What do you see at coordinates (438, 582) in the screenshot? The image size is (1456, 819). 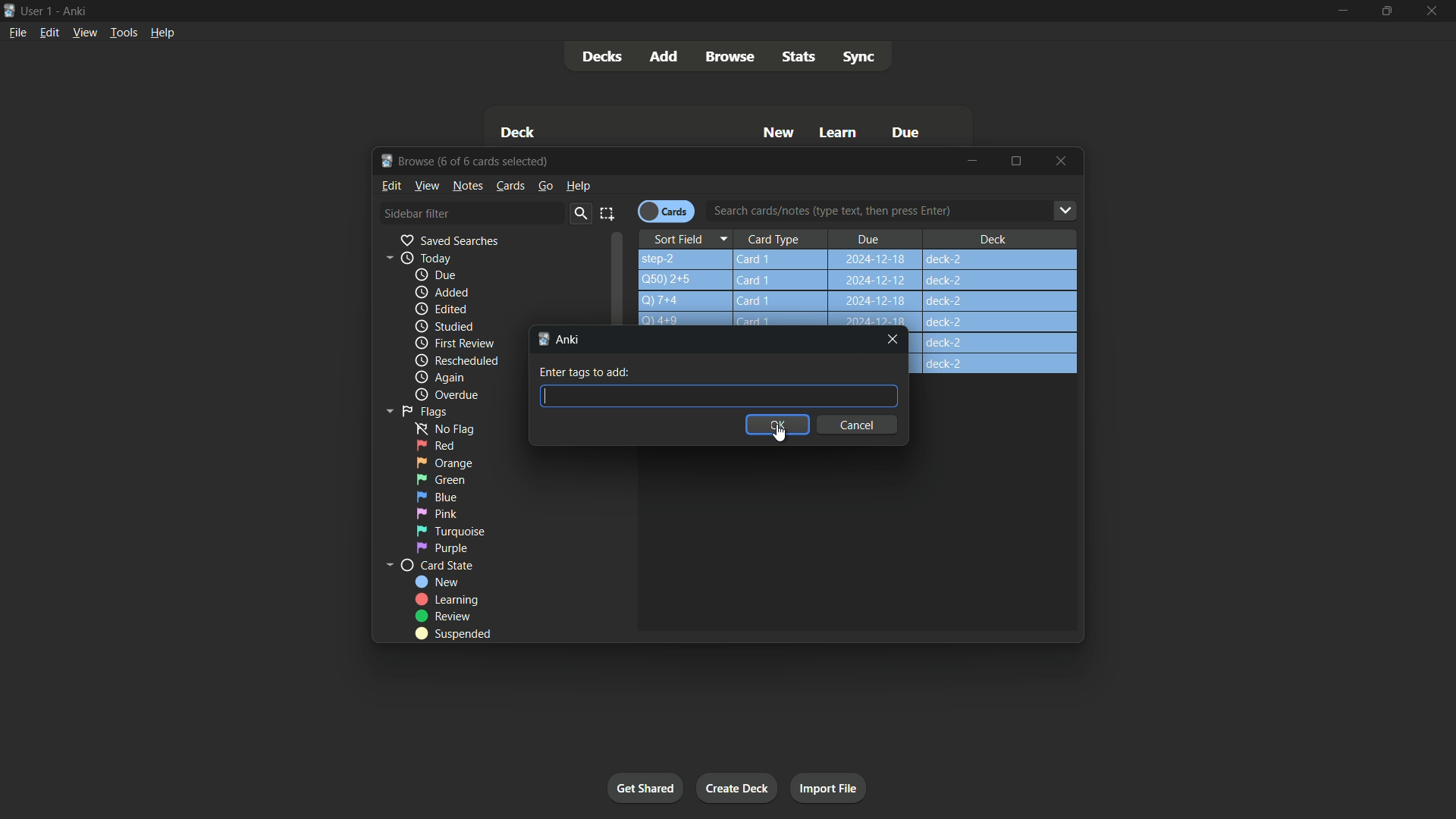 I see `new` at bounding box center [438, 582].